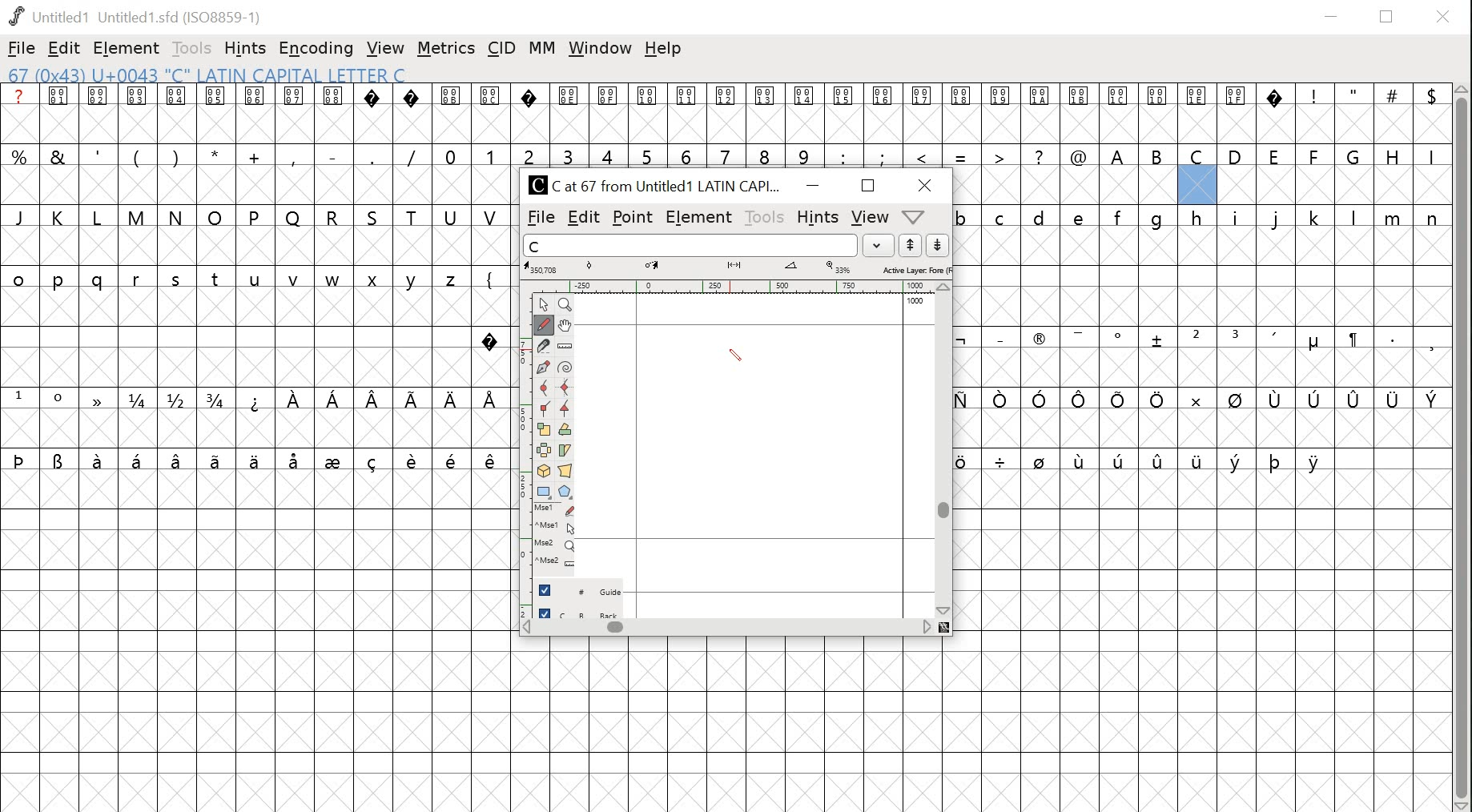 This screenshot has height=812, width=1472. I want to click on rectangle/ellipse, so click(546, 492).